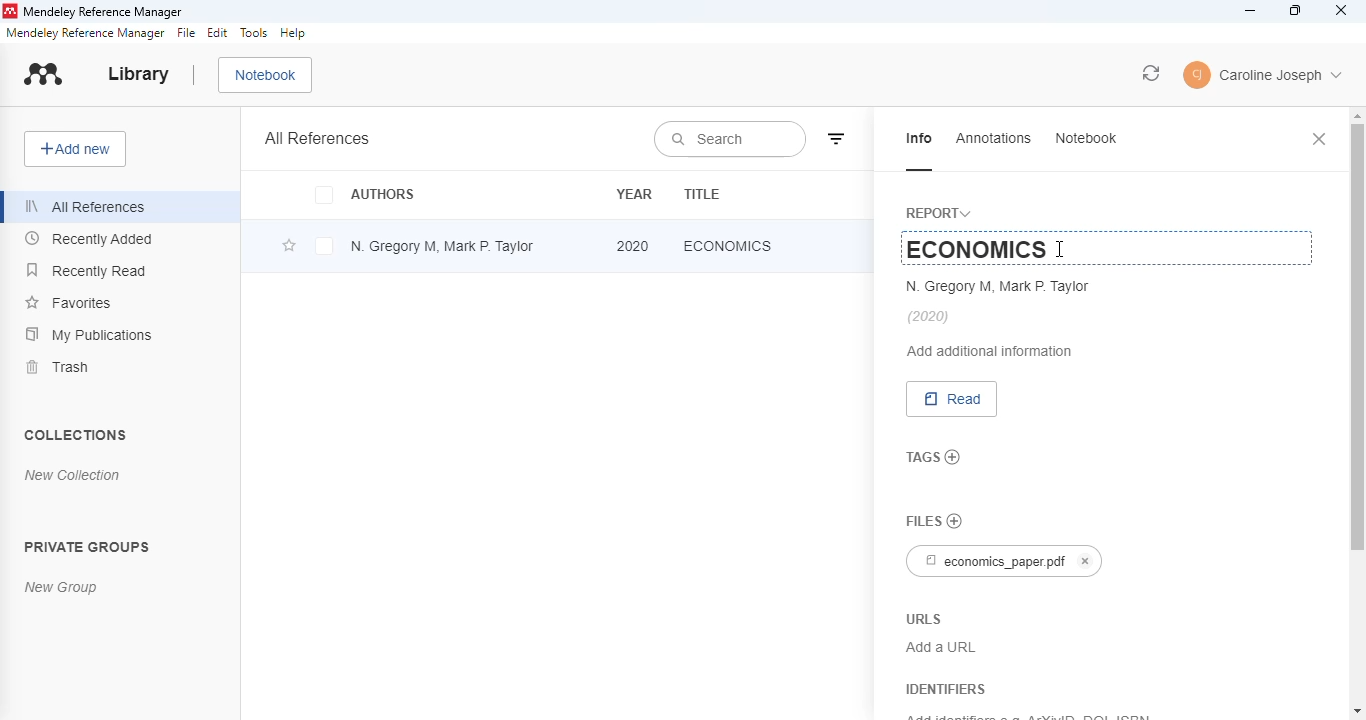 The height and width of the screenshot is (720, 1366). Describe the element at coordinates (920, 140) in the screenshot. I see `info` at that location.